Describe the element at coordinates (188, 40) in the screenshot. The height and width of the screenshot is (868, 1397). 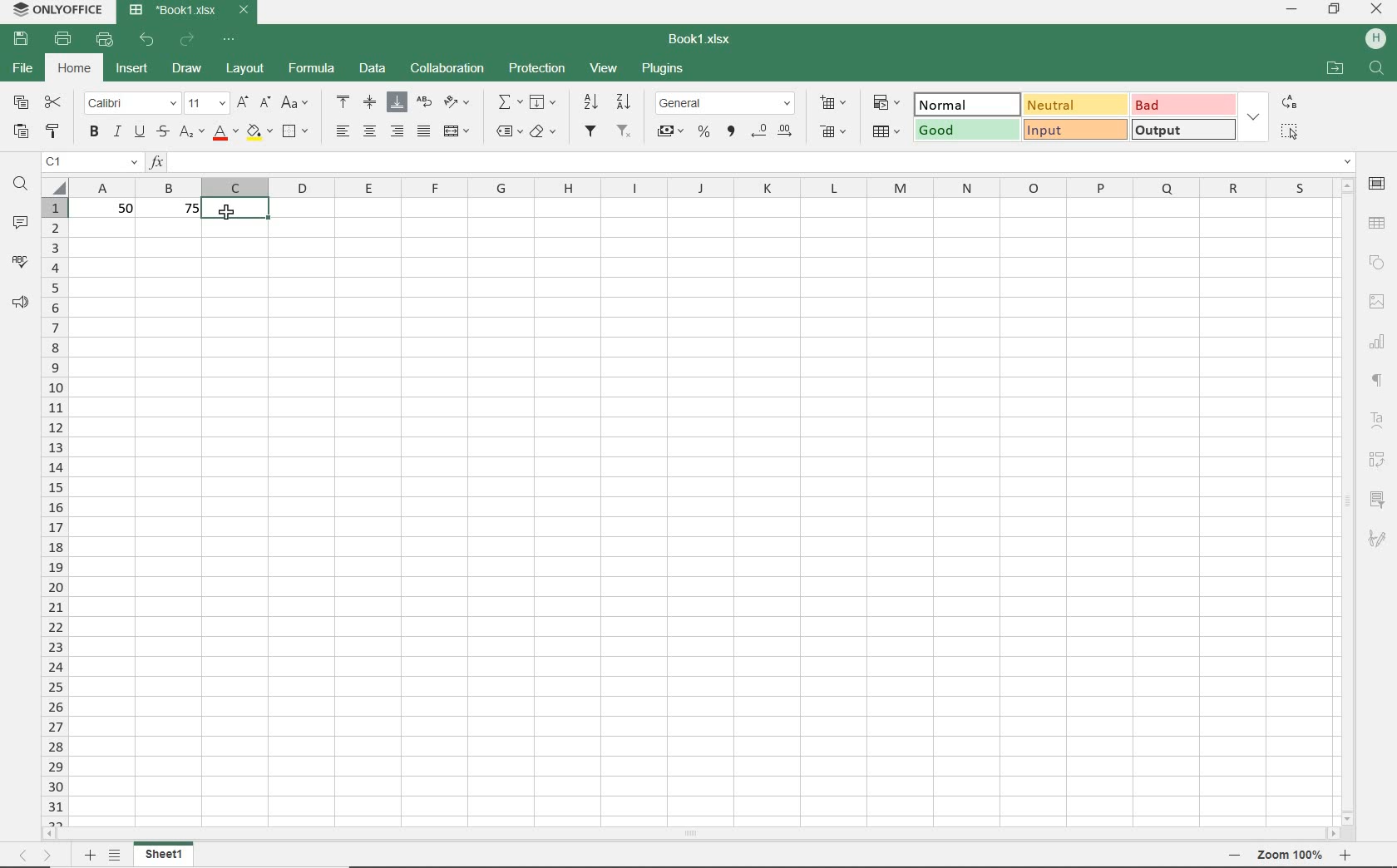
I see `redo` at that location.